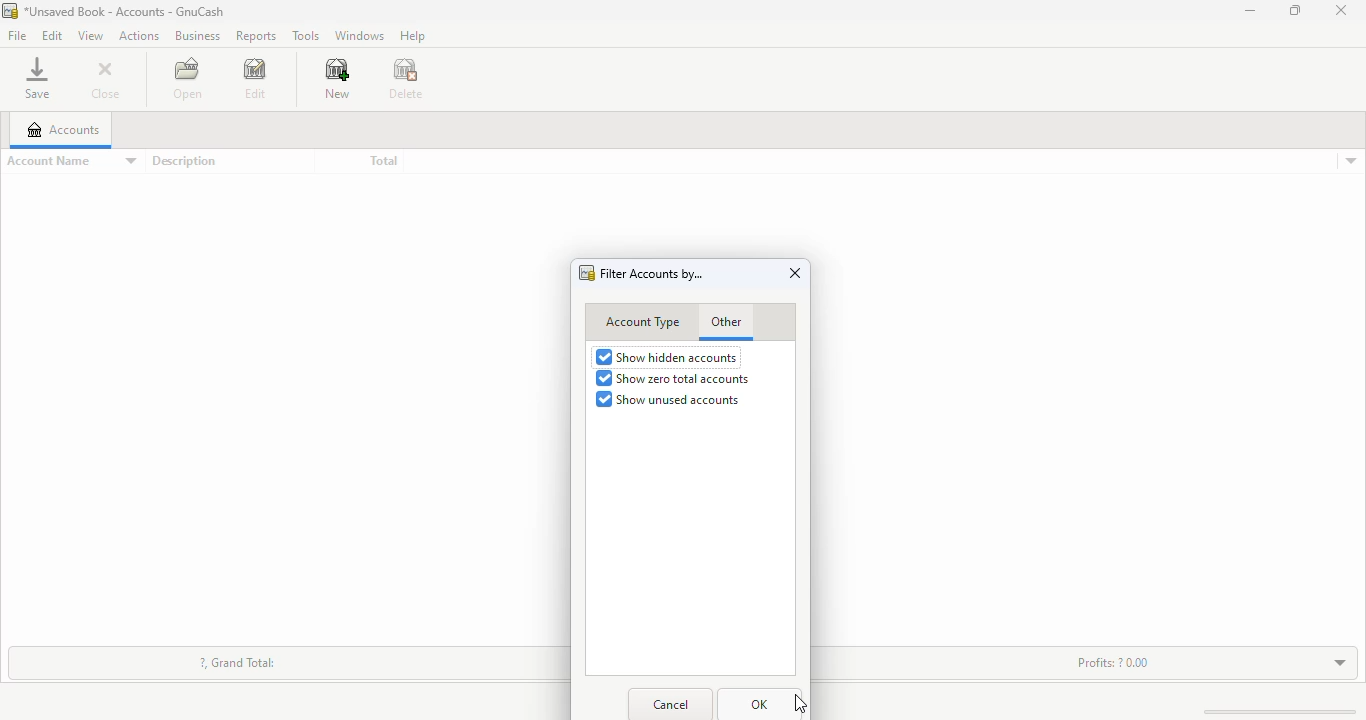  Describe the element at coordinates (672, 379) in the screenshot. I see `show zero total accounts` at that location.